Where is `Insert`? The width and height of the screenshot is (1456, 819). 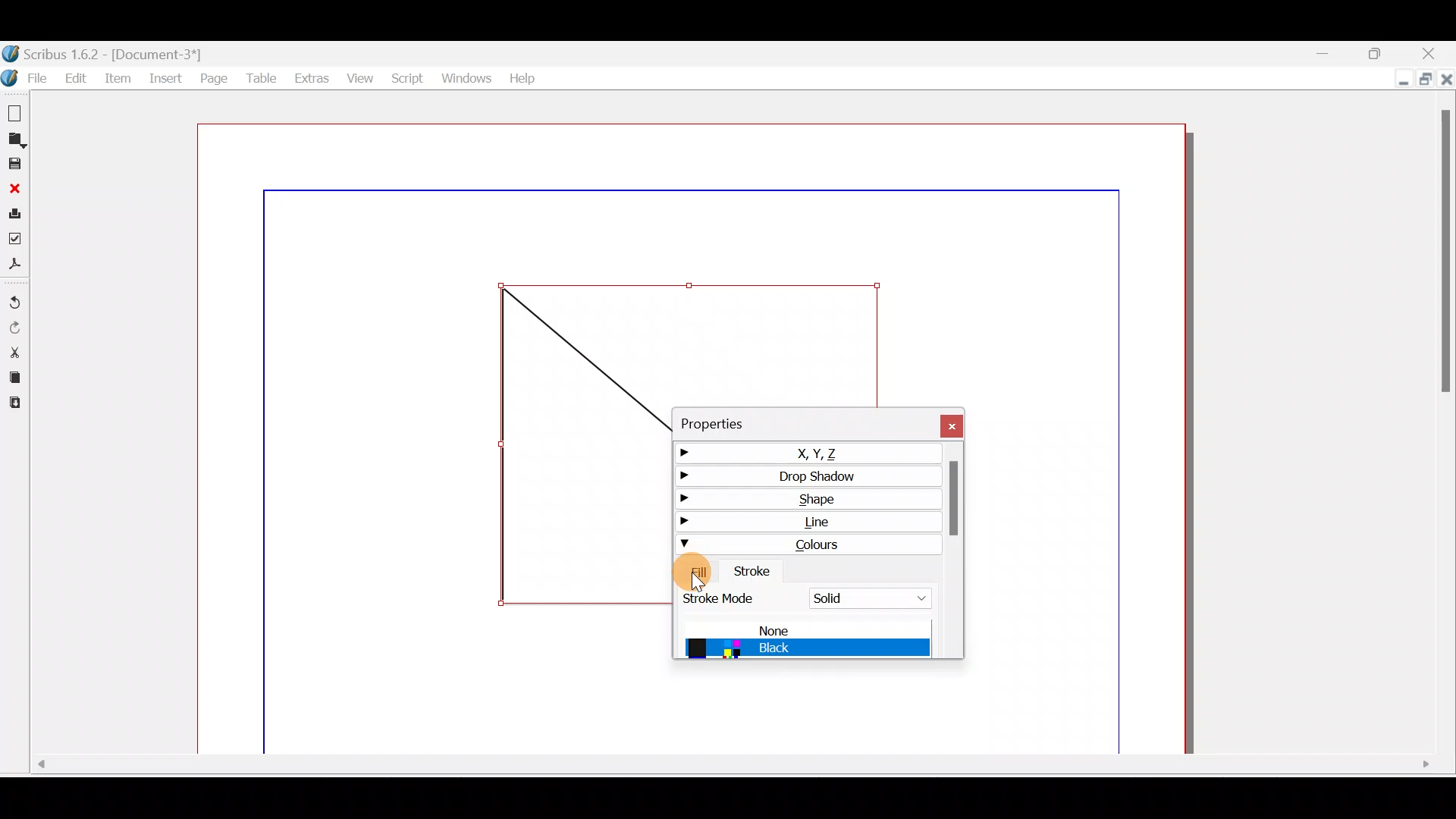
Insert is located at coordinates (165, 80).